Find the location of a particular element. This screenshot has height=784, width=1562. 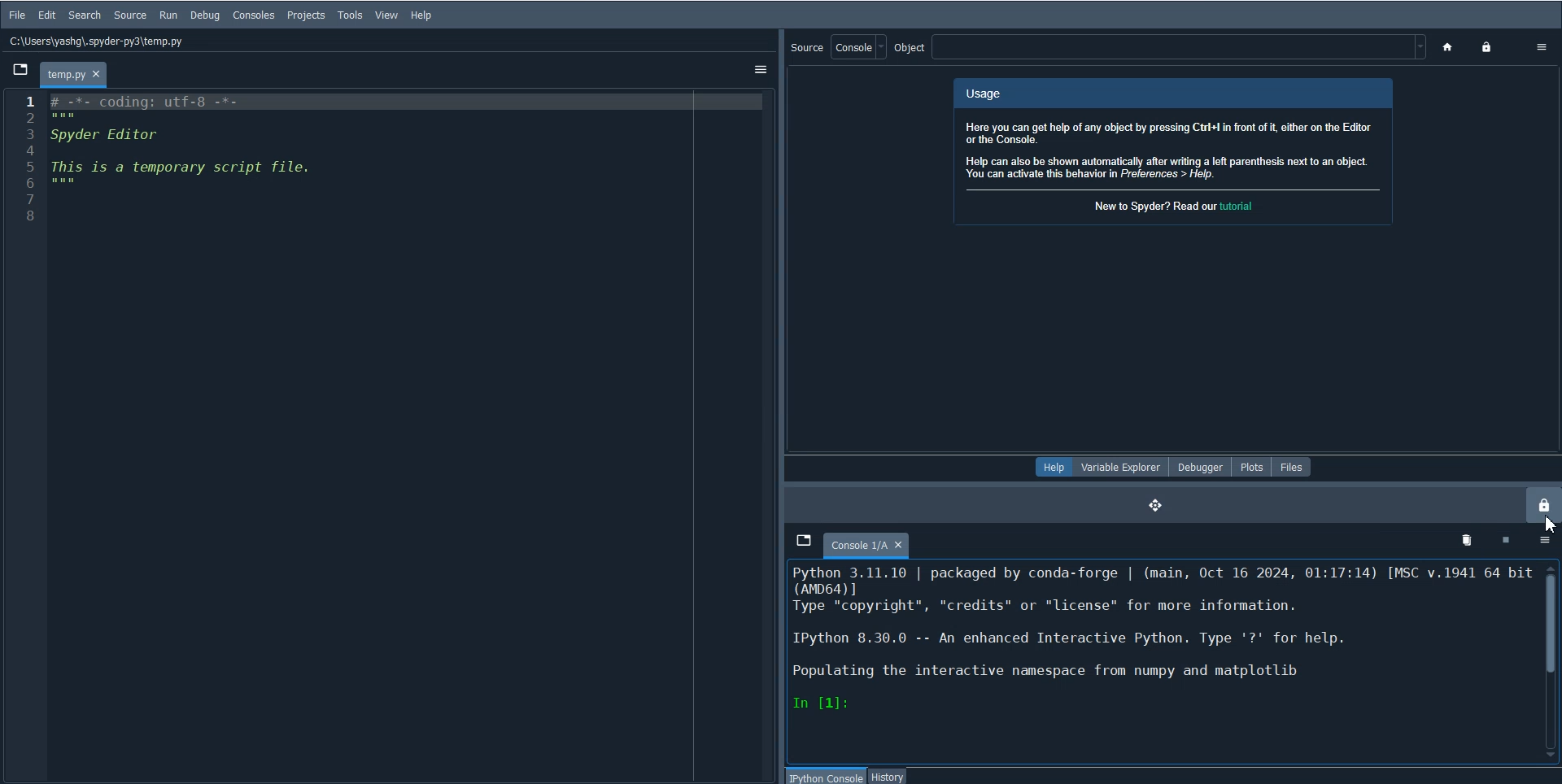

# -%*- coding: utt-8 -*-
Spyder Editor
This is a temporary script file. is located at coordinates (185, 142).